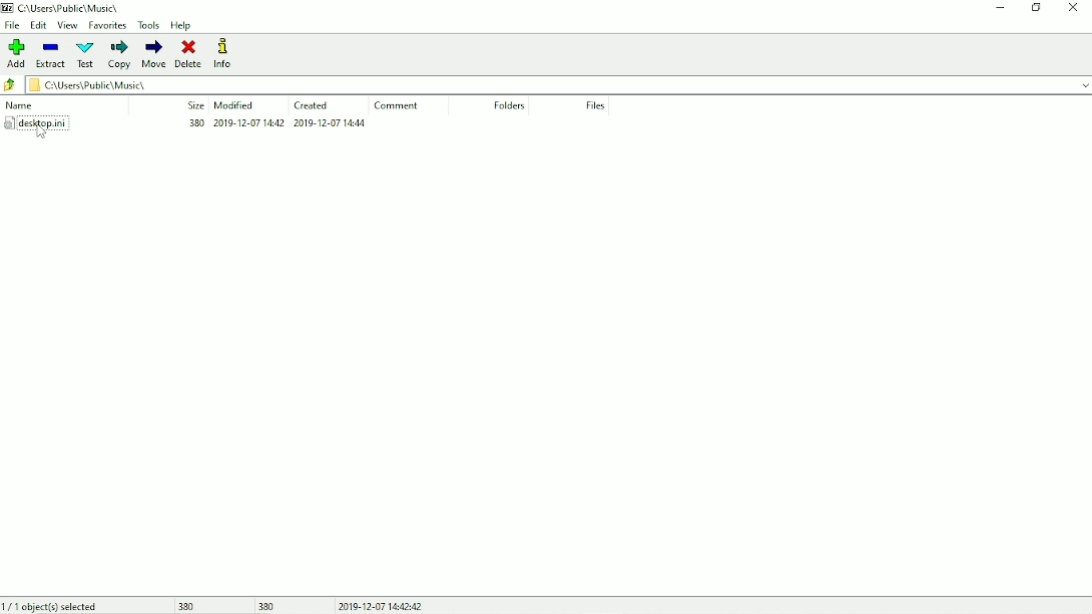  What do you see at coordinates (310, 104) in the screenshot?
I see `Created` at bounding box center [310, 104].